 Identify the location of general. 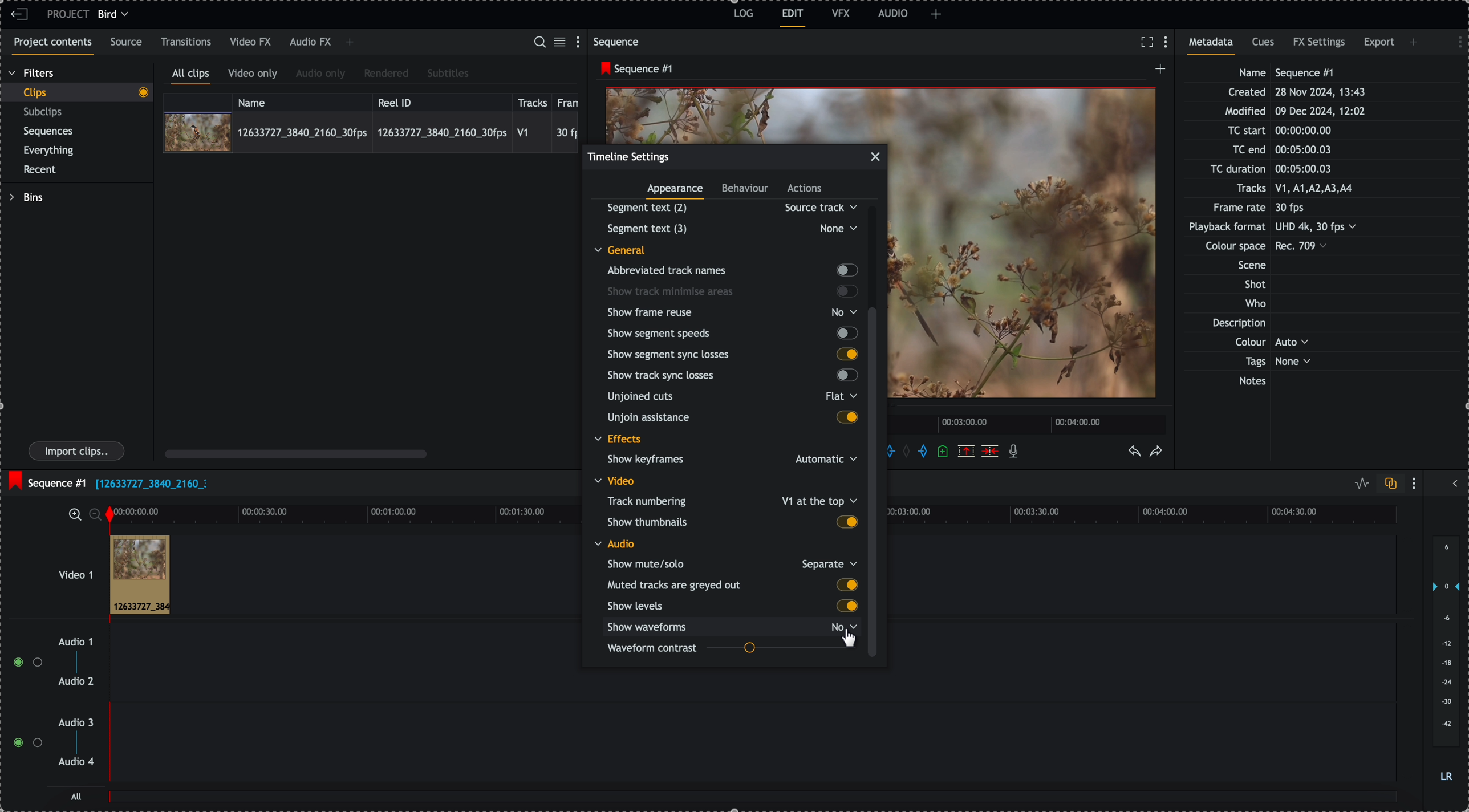
(628, 249).